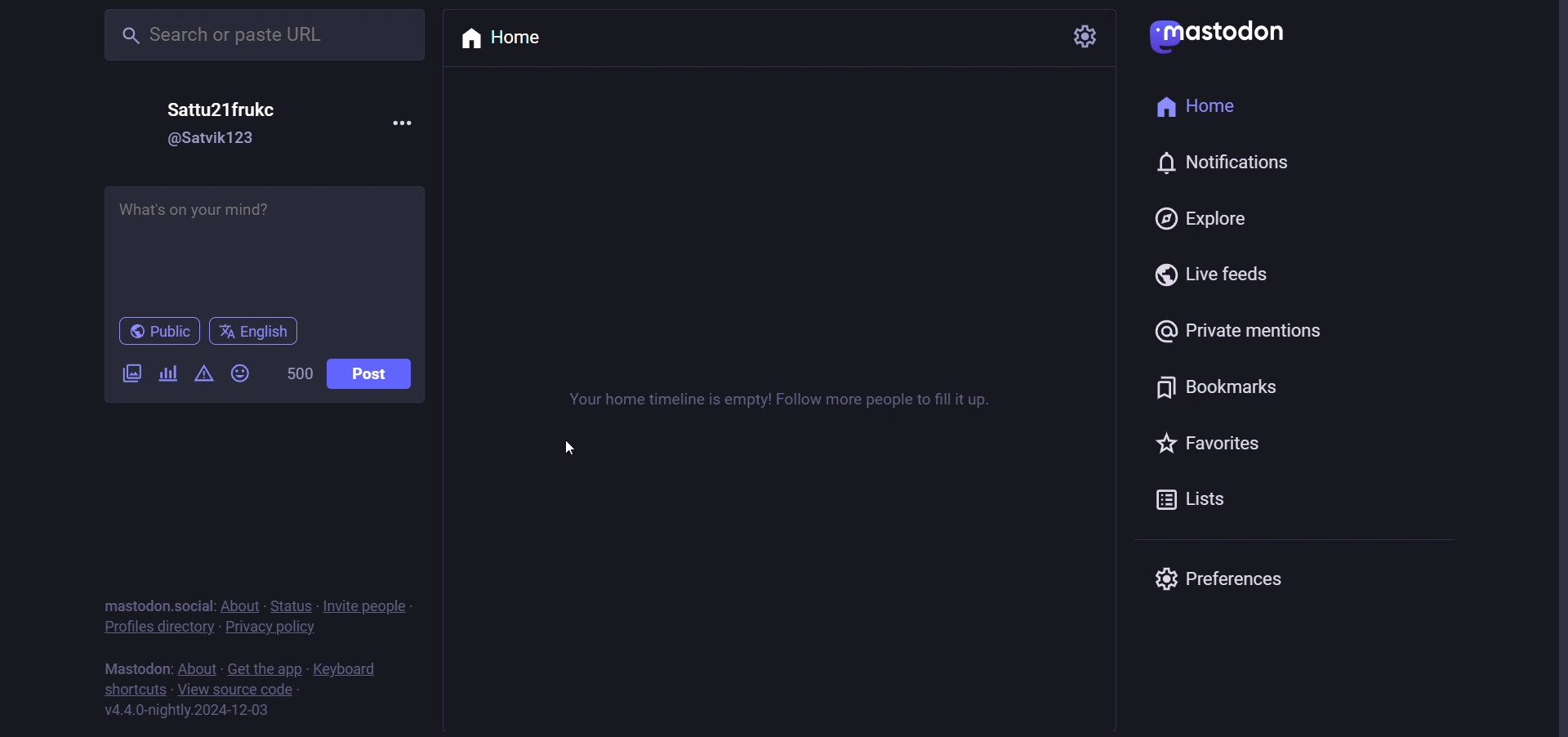  Describe the element at coordinates (167, 374) in the screenshot. I see `poll` at that location.